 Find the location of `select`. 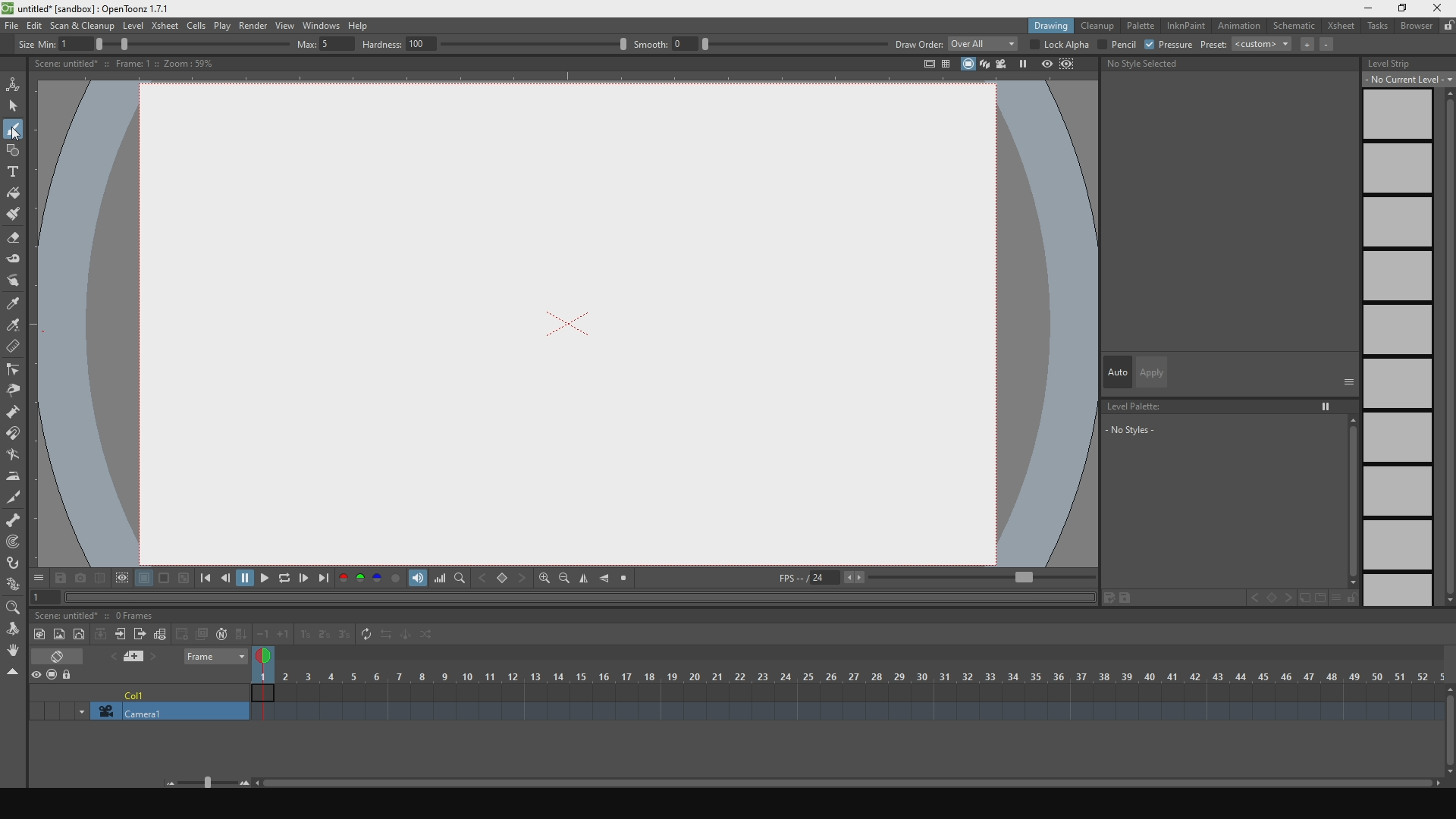

select is located at coordinates (14, 106).